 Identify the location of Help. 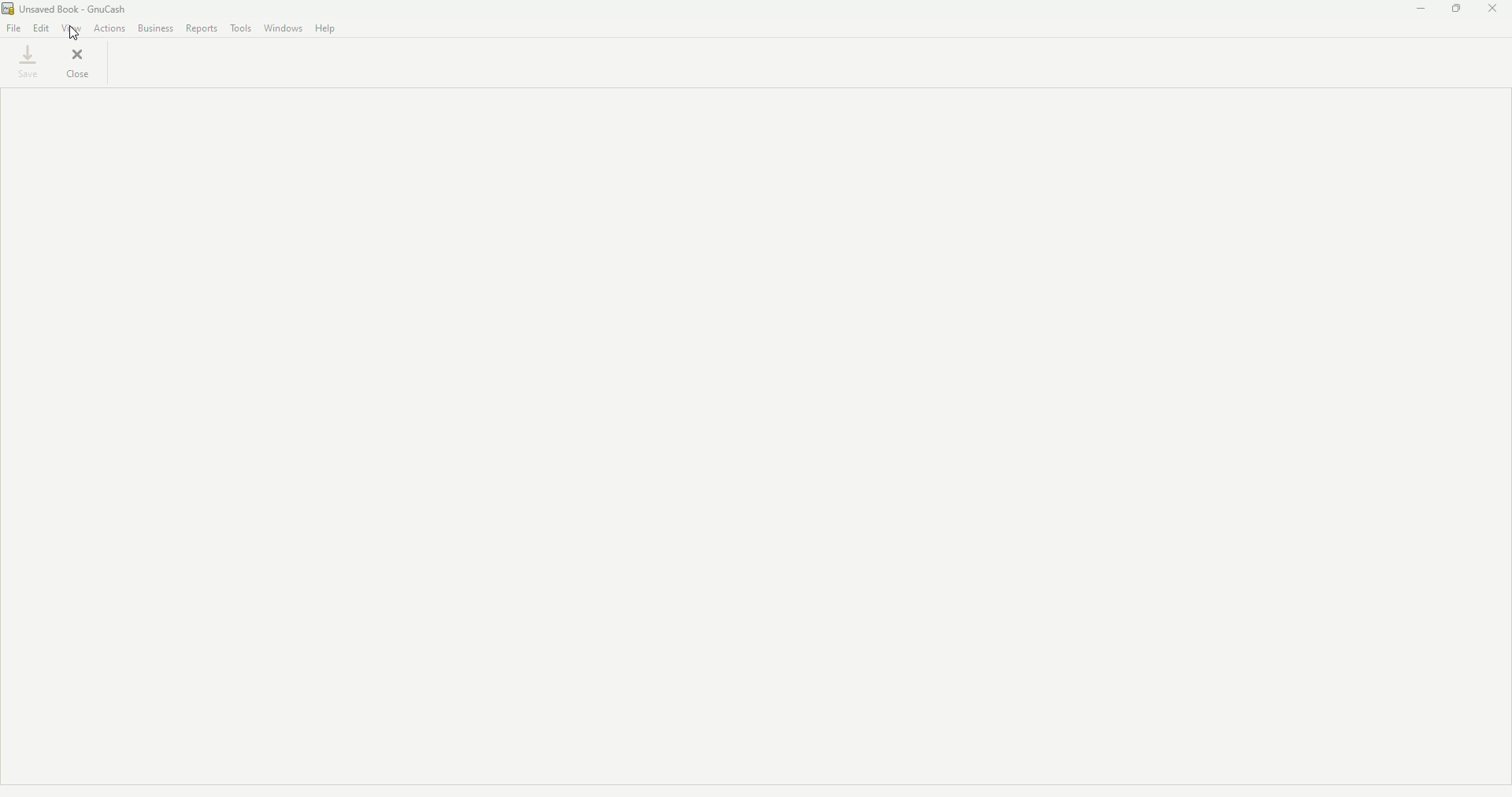
(328, 29).